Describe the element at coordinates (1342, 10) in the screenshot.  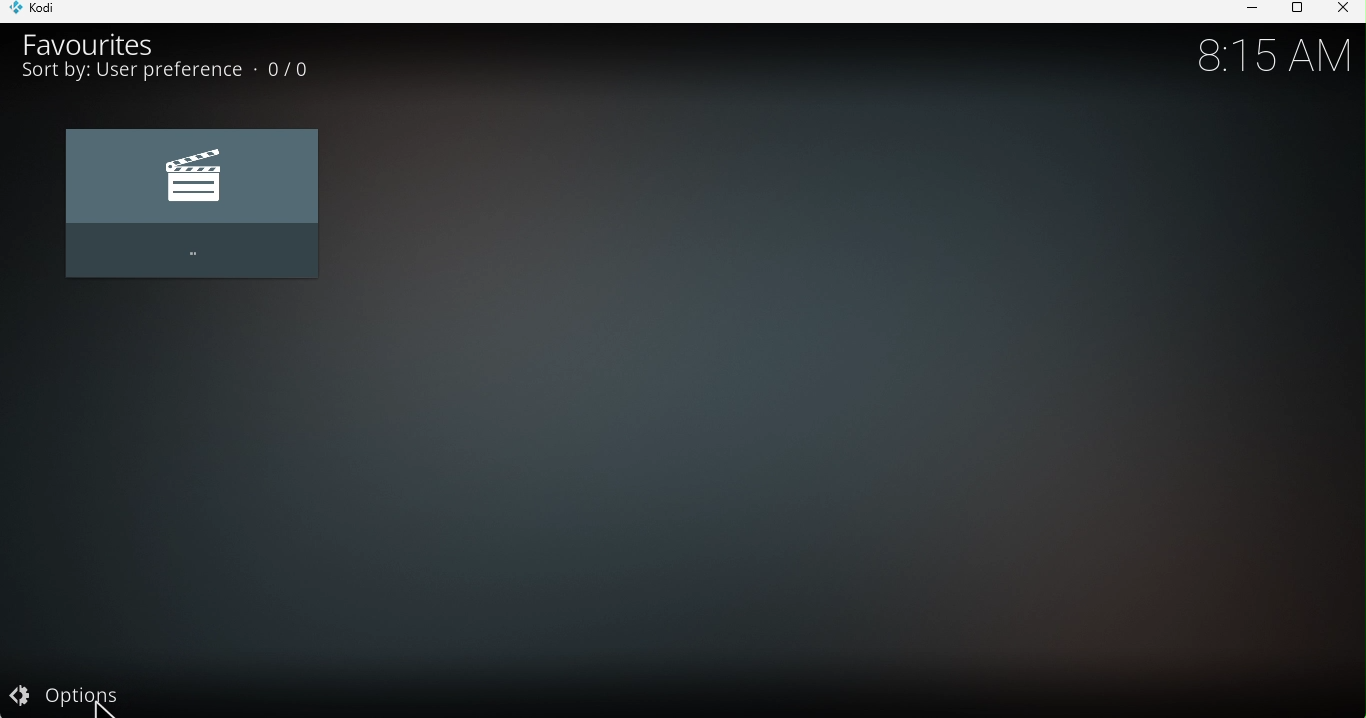
I see `Close` at that location.